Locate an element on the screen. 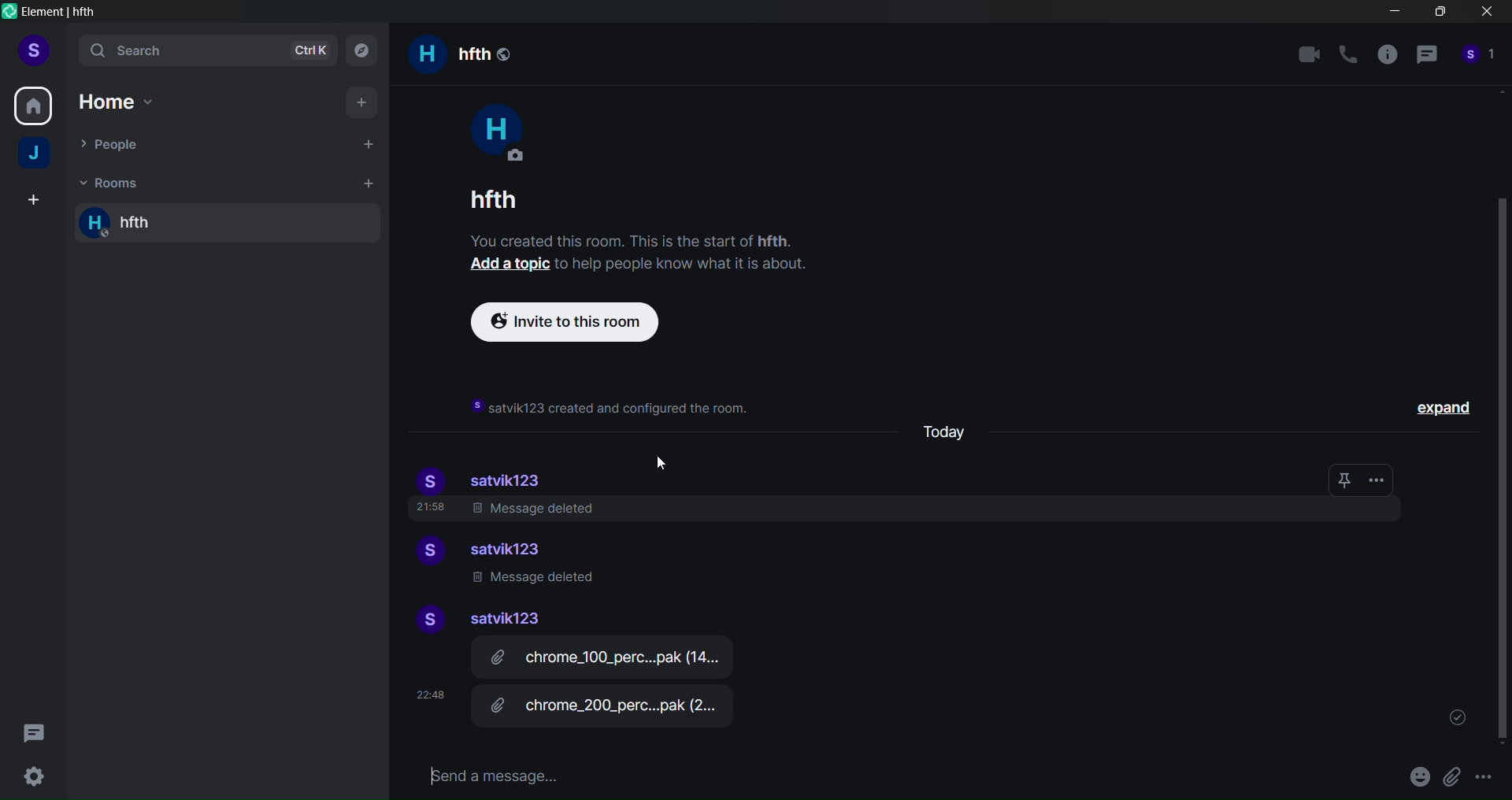 This screenshot has height=800, width=1512. Use is located at coordinates (485, 475).